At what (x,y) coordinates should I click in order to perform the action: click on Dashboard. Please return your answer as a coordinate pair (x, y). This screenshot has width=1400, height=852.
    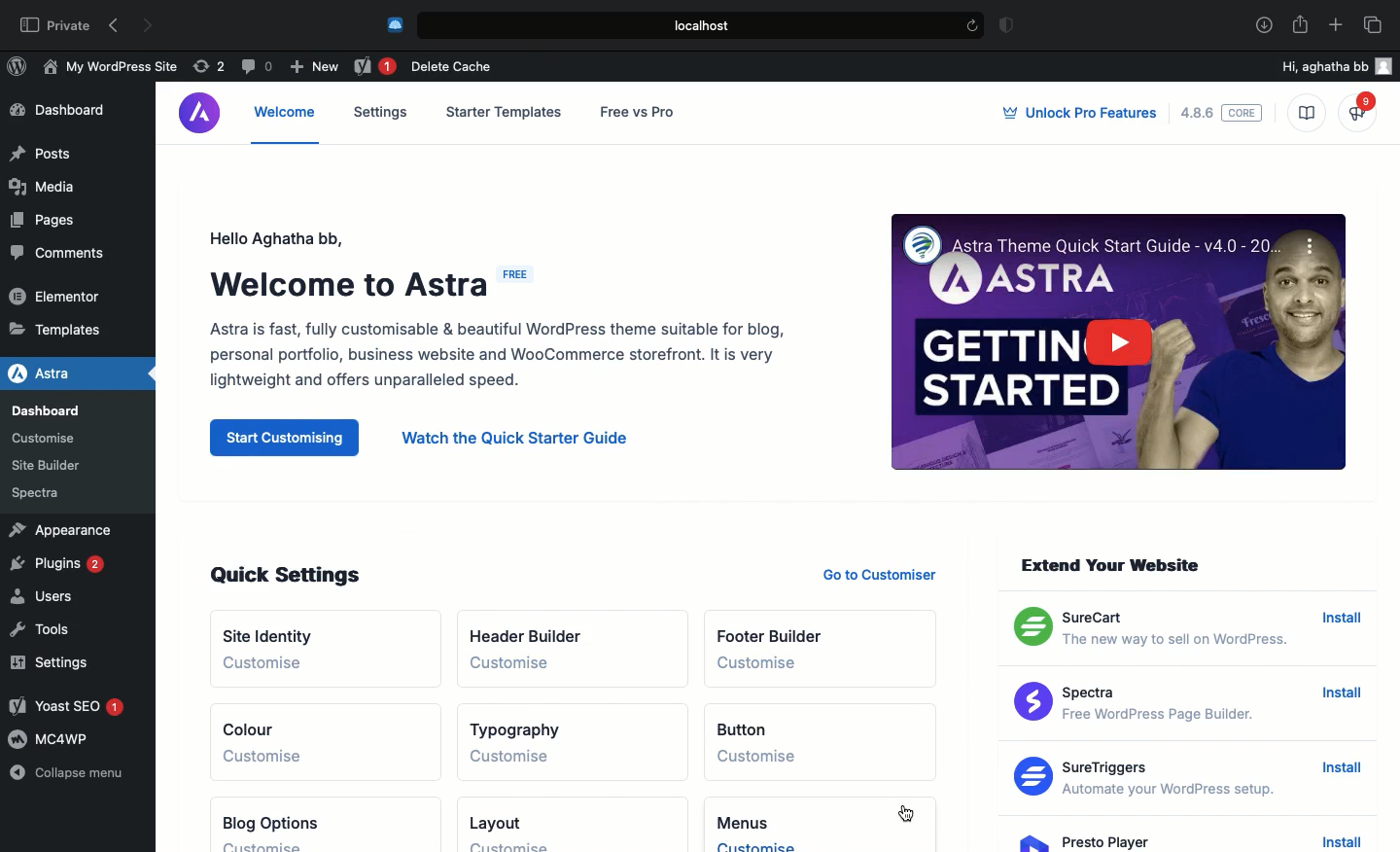
    Looking at the image, I should click on (62, 111).